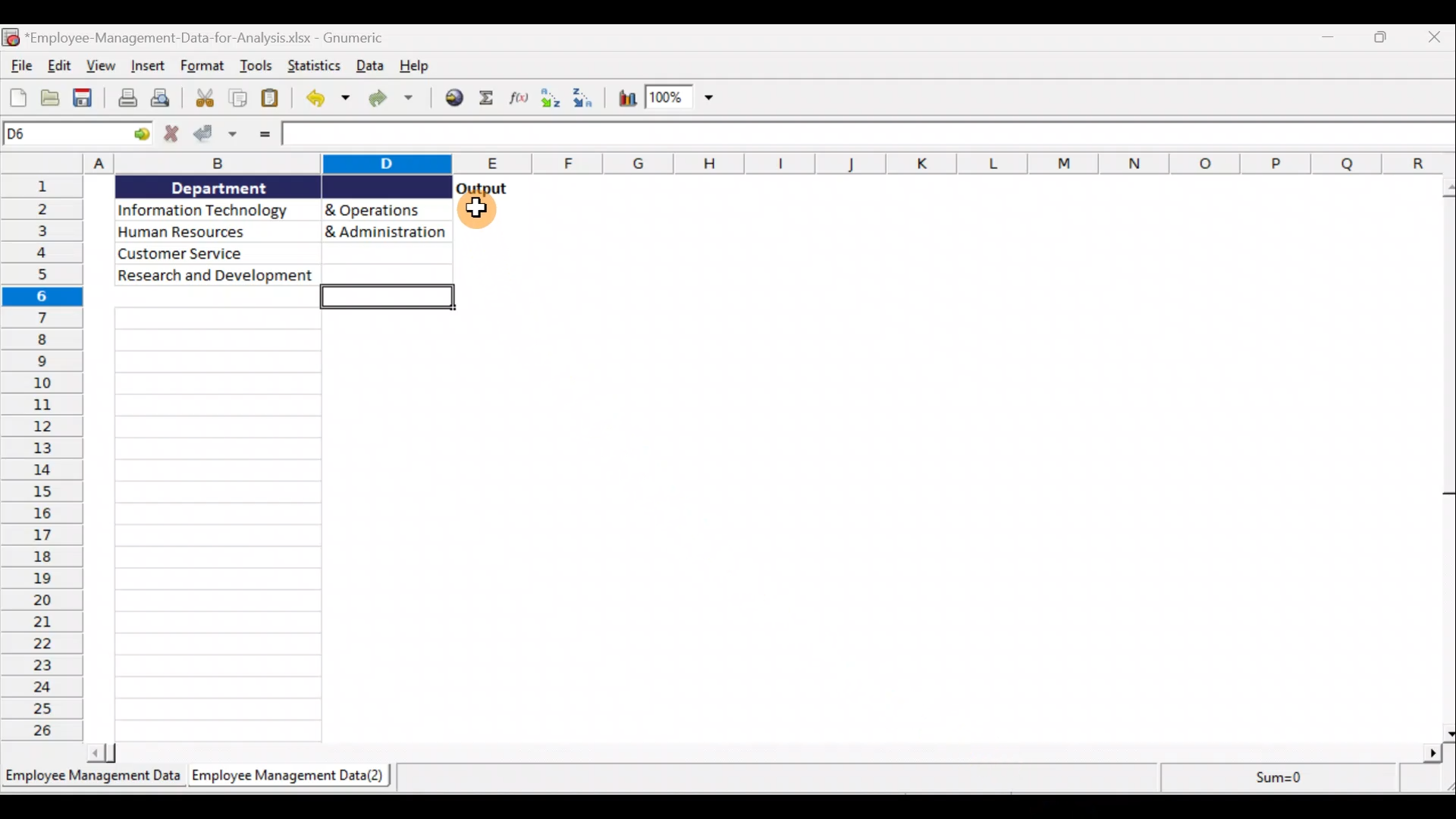 The height and width of the screenshot is (819, 1456). I want to click on Print the current file, so click(125, 98).